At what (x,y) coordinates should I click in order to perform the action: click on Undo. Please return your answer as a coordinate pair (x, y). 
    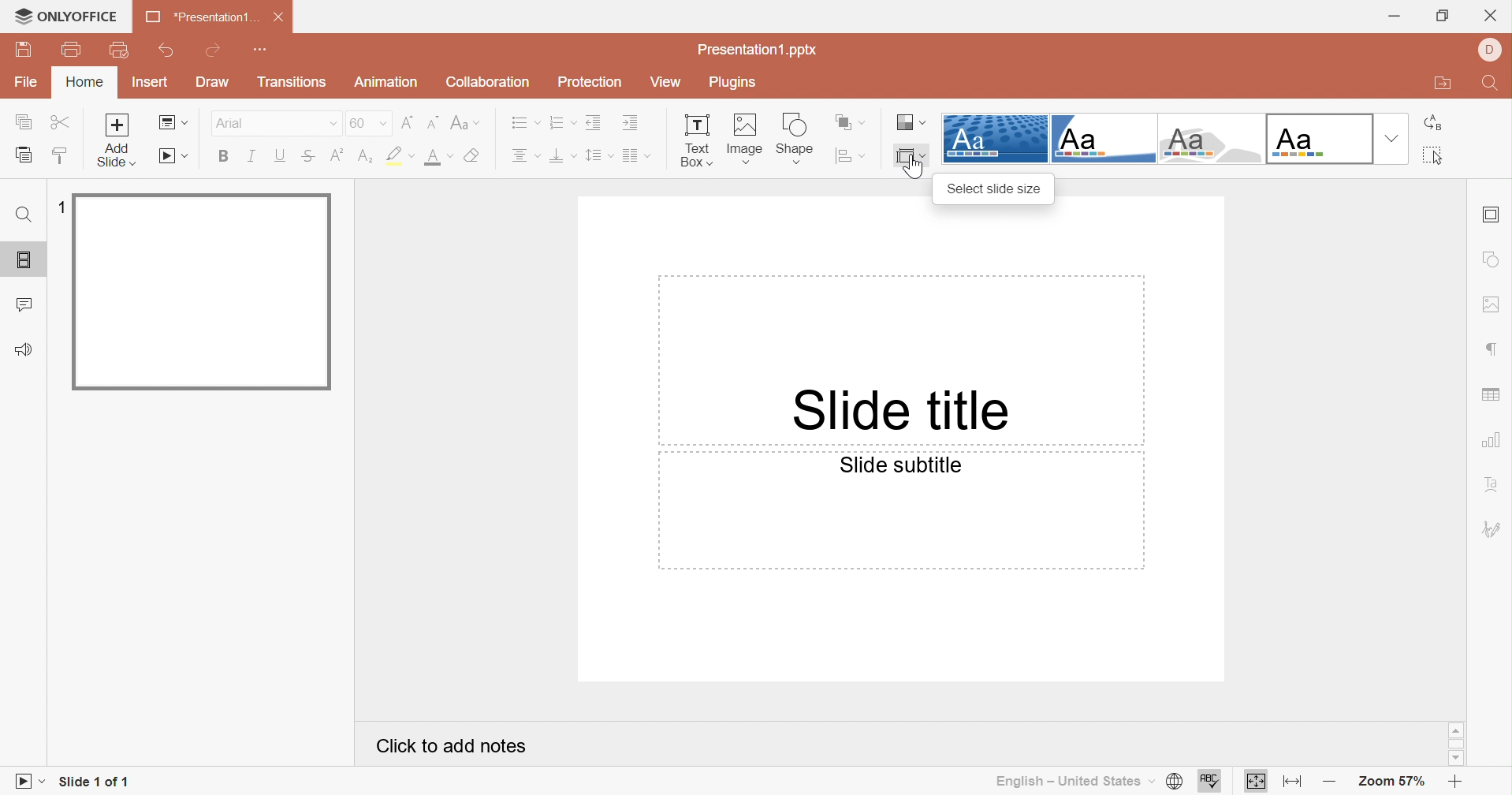
    Looking at the image, I should click on (169, 50).